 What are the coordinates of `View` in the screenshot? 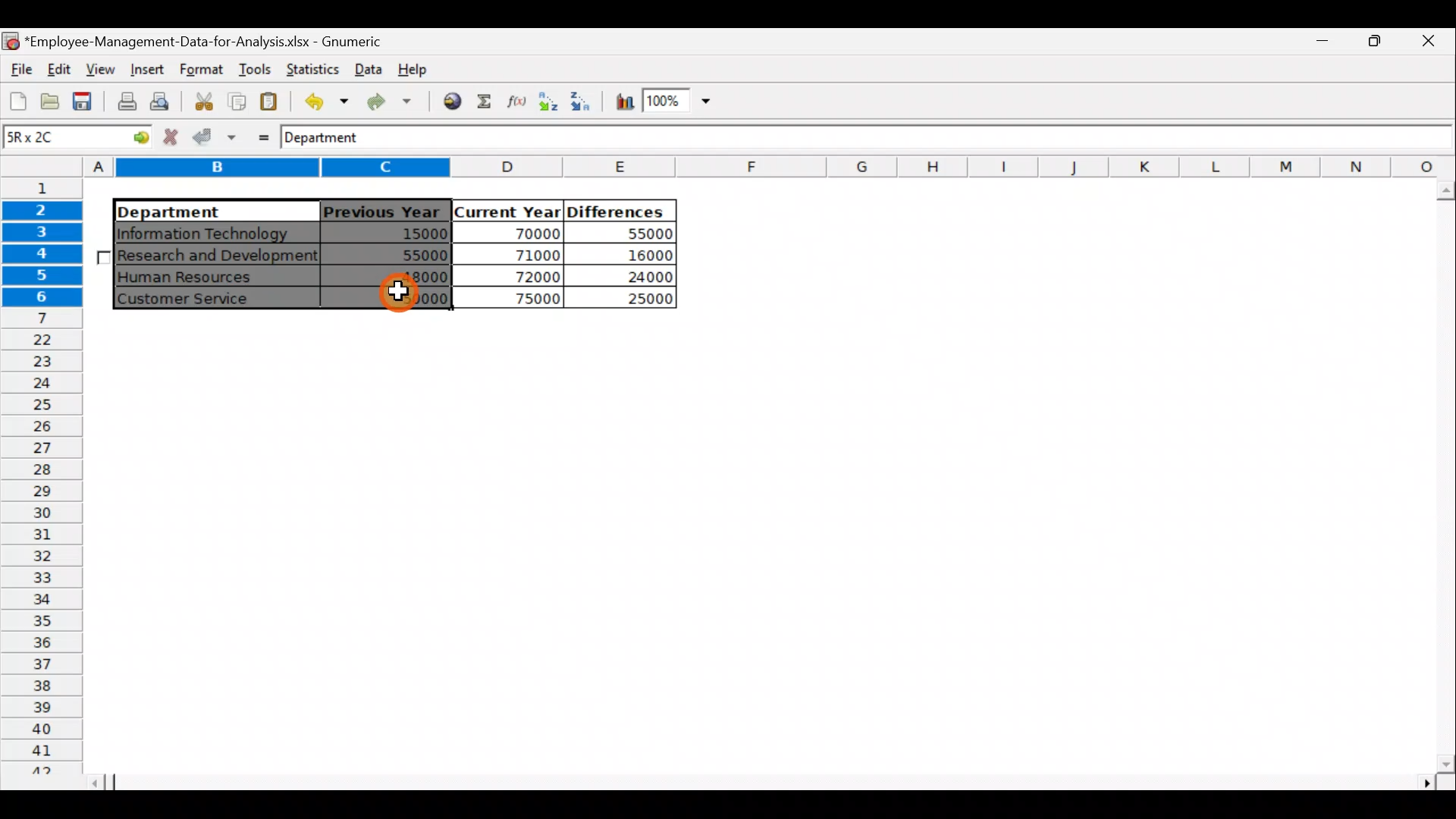 It's located at (103, 67).